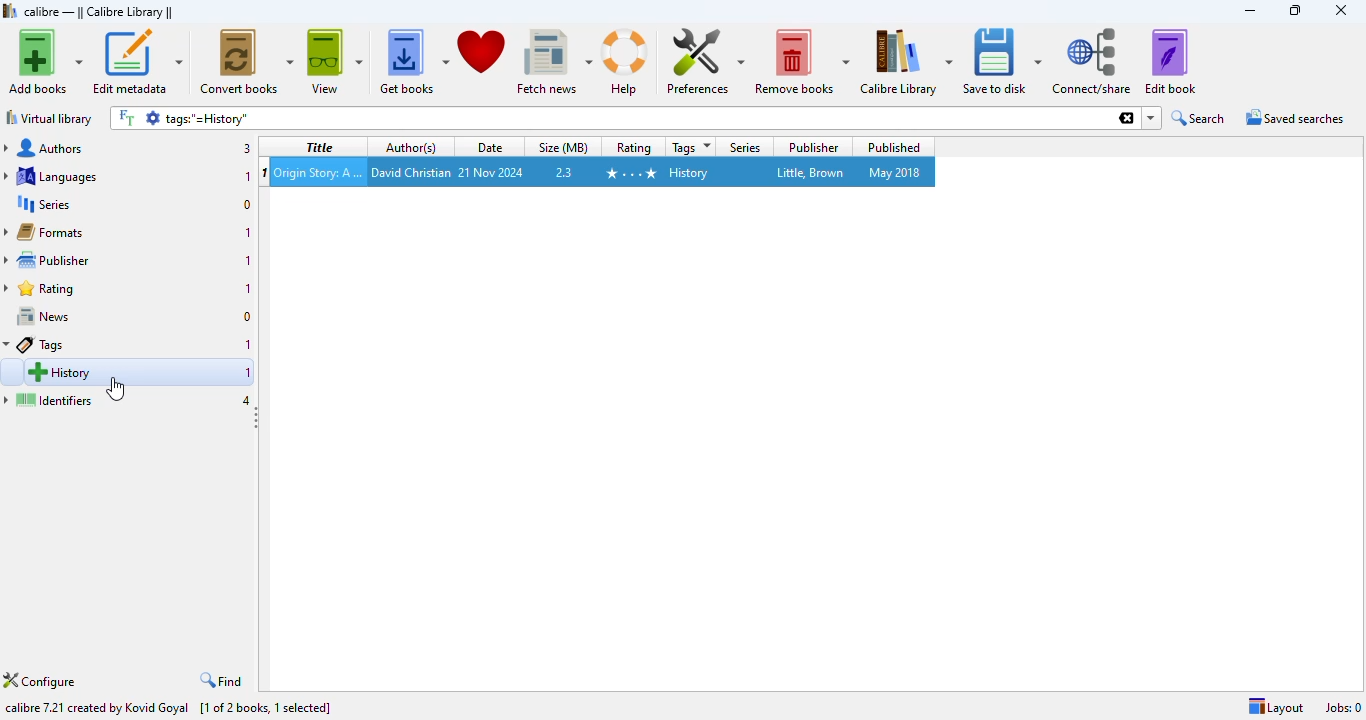  I want to click on calibre 7.21 created by Kovid Goyal, so click(98, 708).